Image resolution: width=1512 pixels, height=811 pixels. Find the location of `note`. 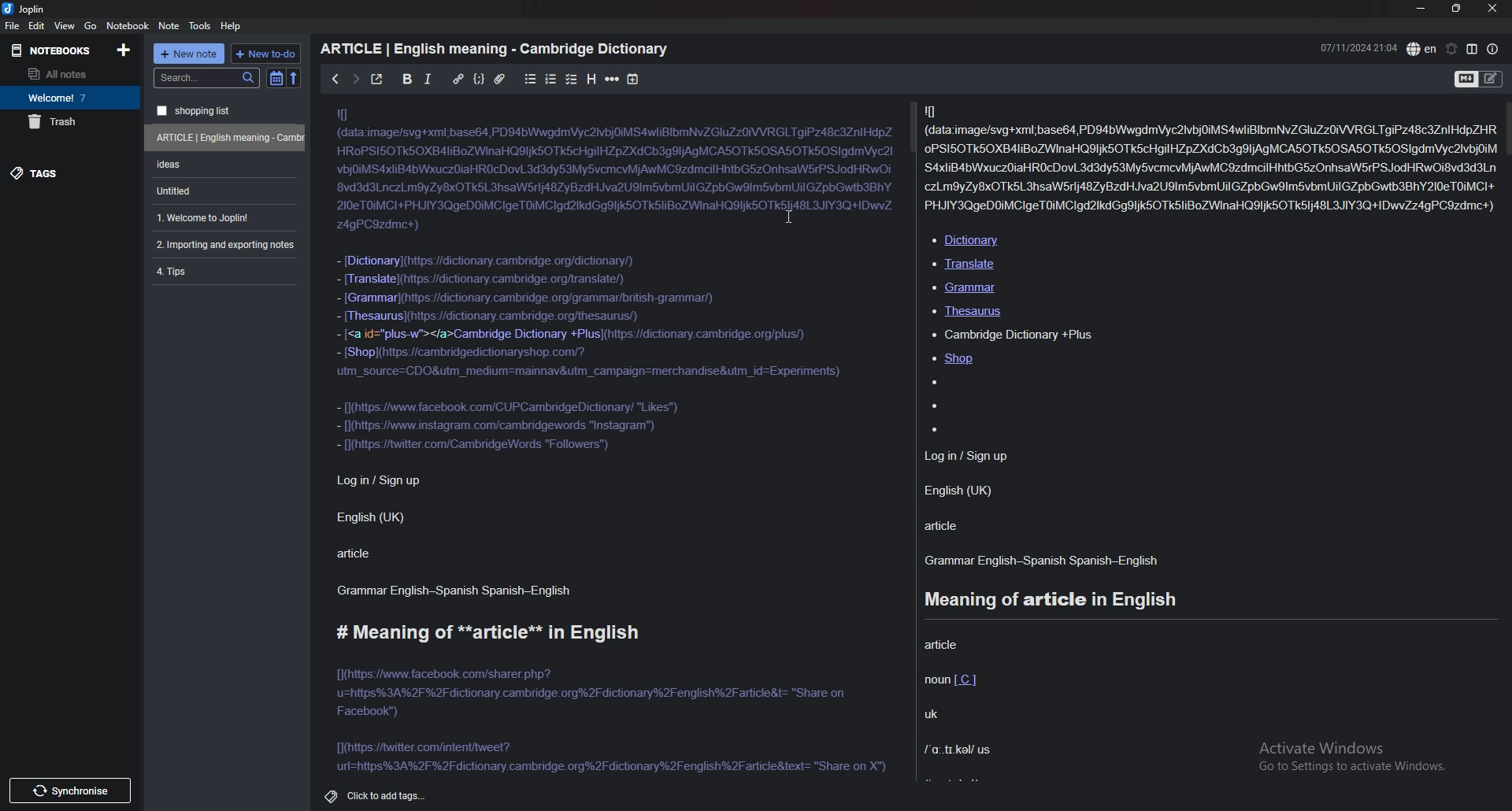

note is located at coordinates (226, 244).